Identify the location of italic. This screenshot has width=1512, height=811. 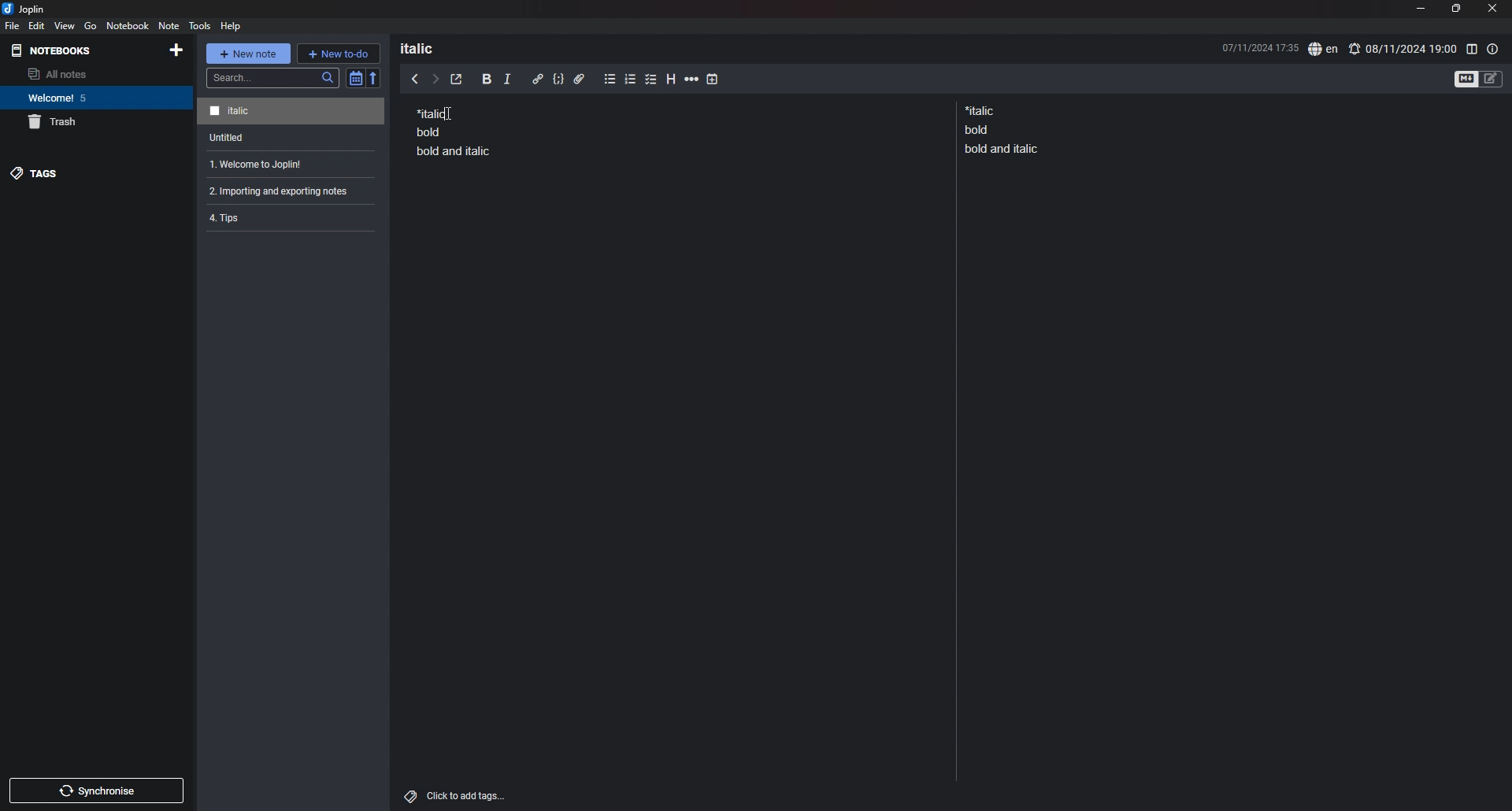
(507, 82).